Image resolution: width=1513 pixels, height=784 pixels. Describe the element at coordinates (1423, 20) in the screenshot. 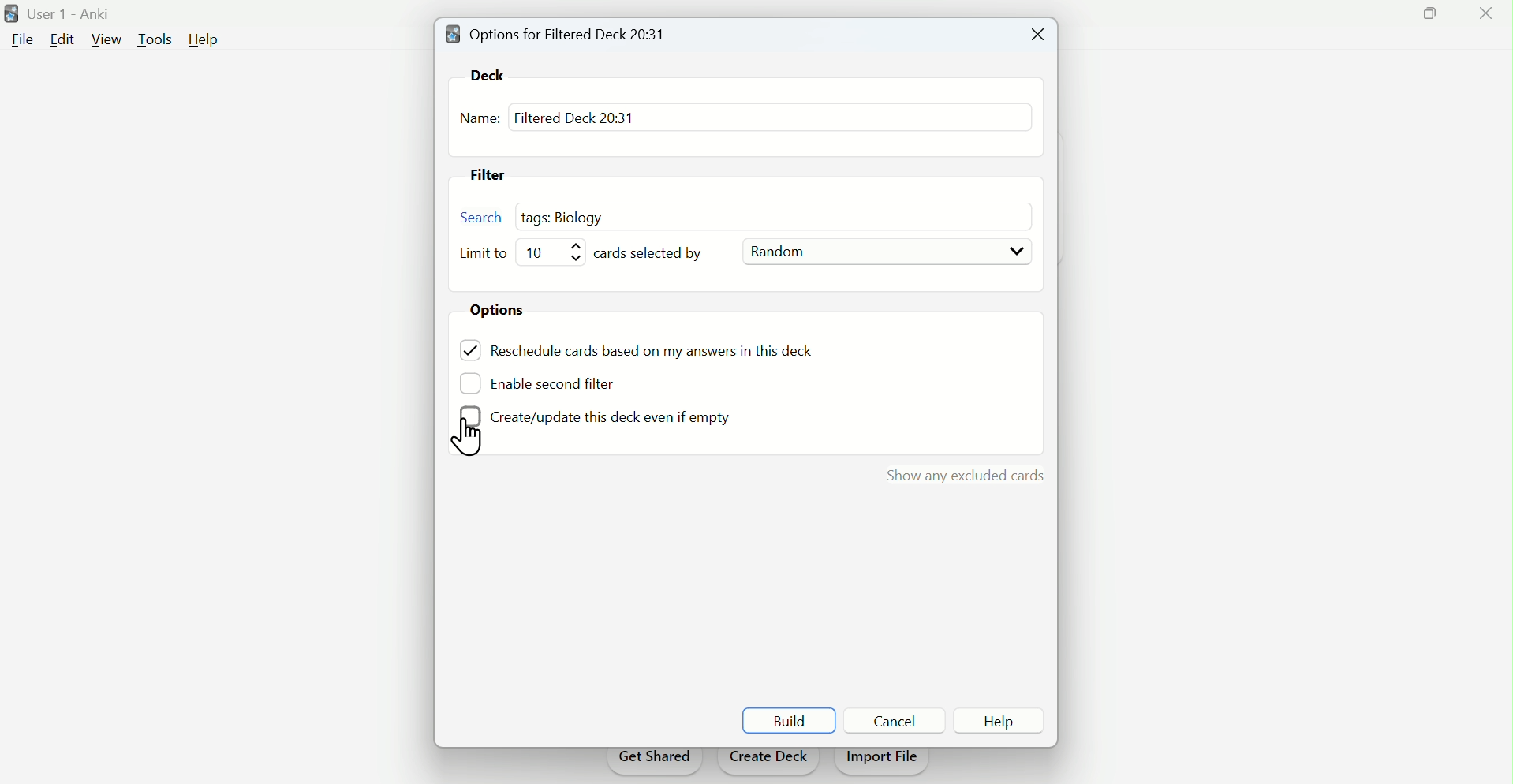

I see `Maximise` at that location.